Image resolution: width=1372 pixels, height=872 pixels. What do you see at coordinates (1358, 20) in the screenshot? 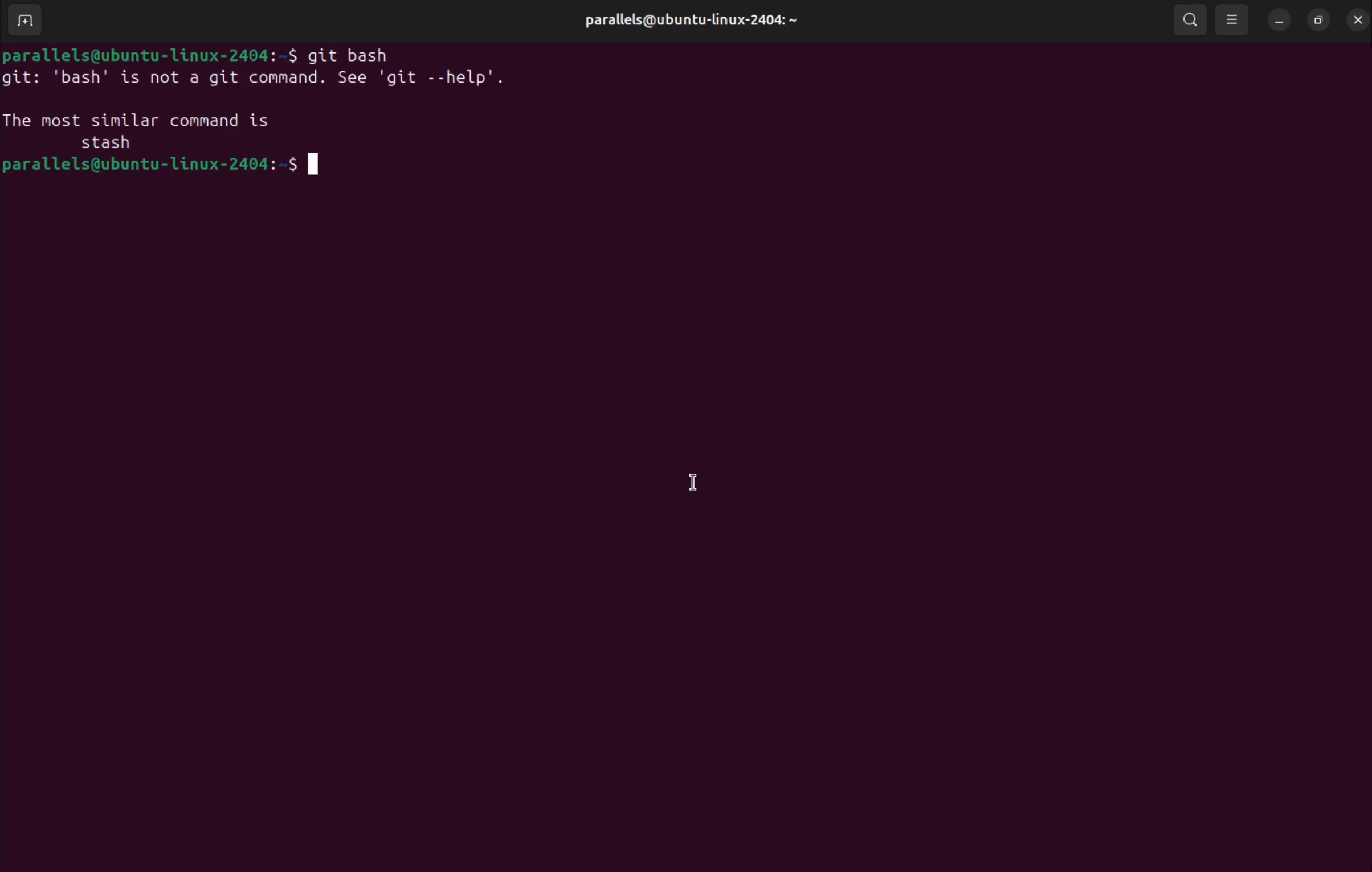
I see `close` at bounding box center [1358, 20].